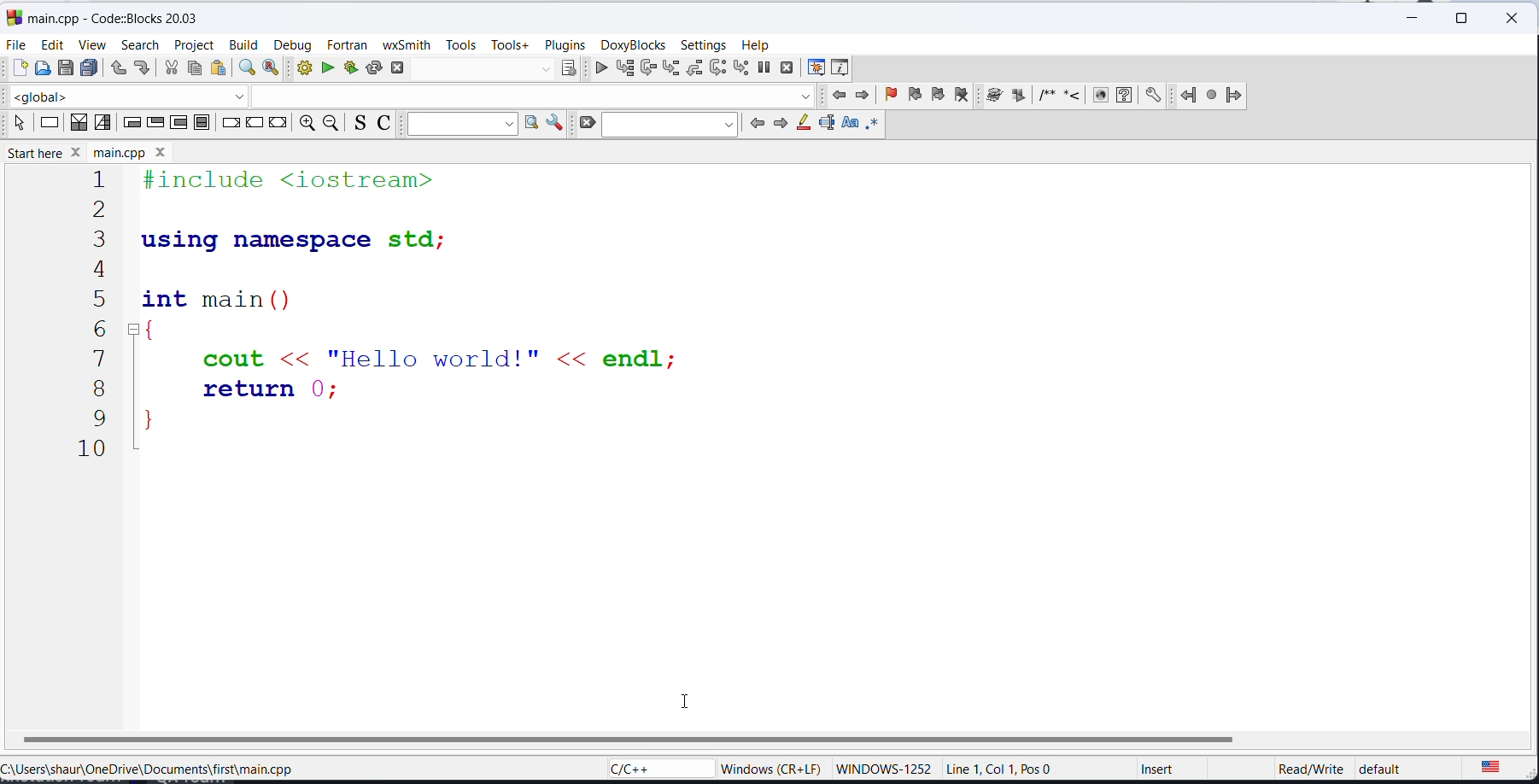  What do you see at coordinates (1152, 97) in the screenshot?
I see `setting` at bounding box center [1152, 97].